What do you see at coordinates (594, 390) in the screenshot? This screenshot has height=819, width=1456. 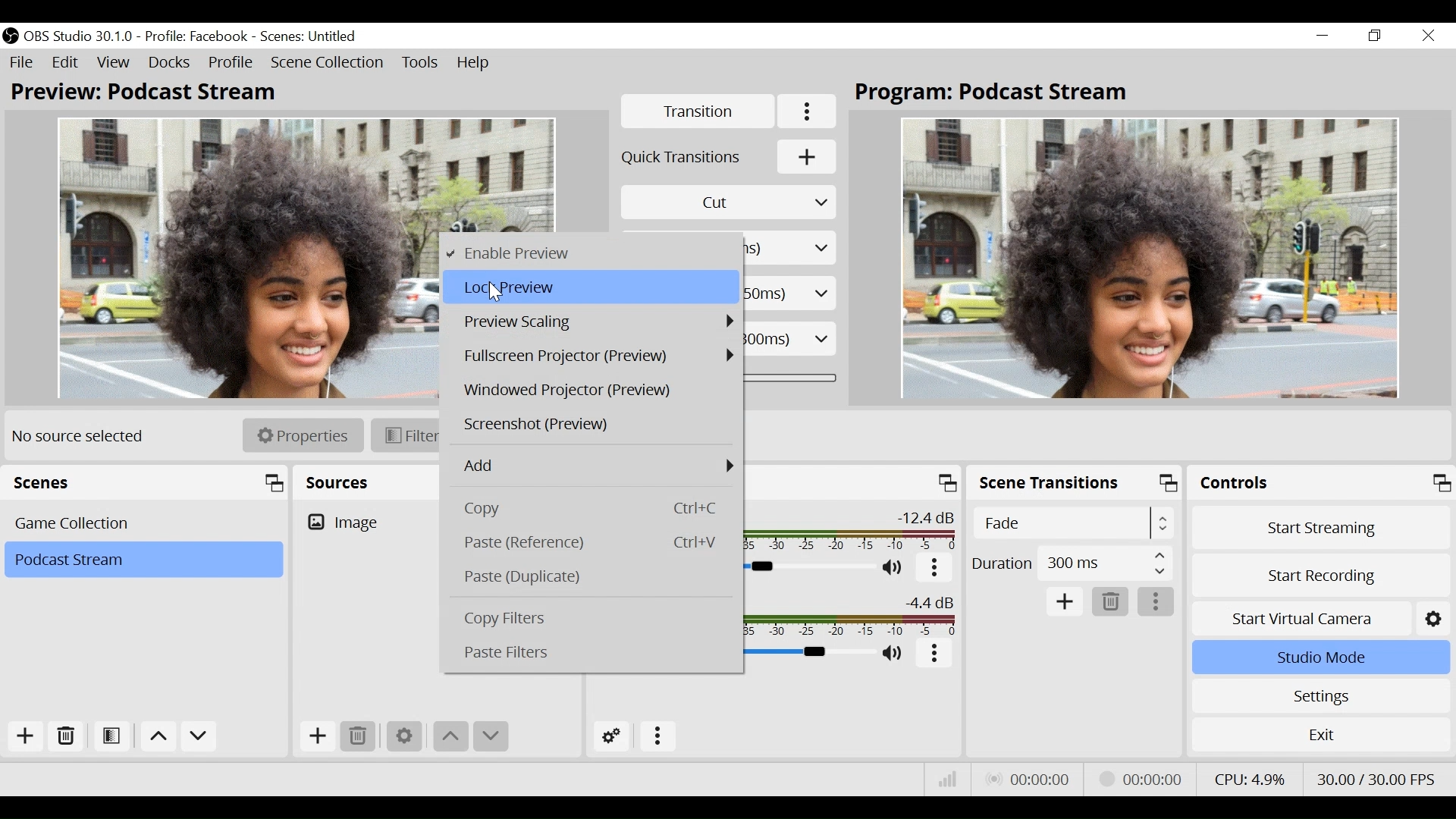 I see `Windowed Projector (Preview)` at bounding box center [594, 390].